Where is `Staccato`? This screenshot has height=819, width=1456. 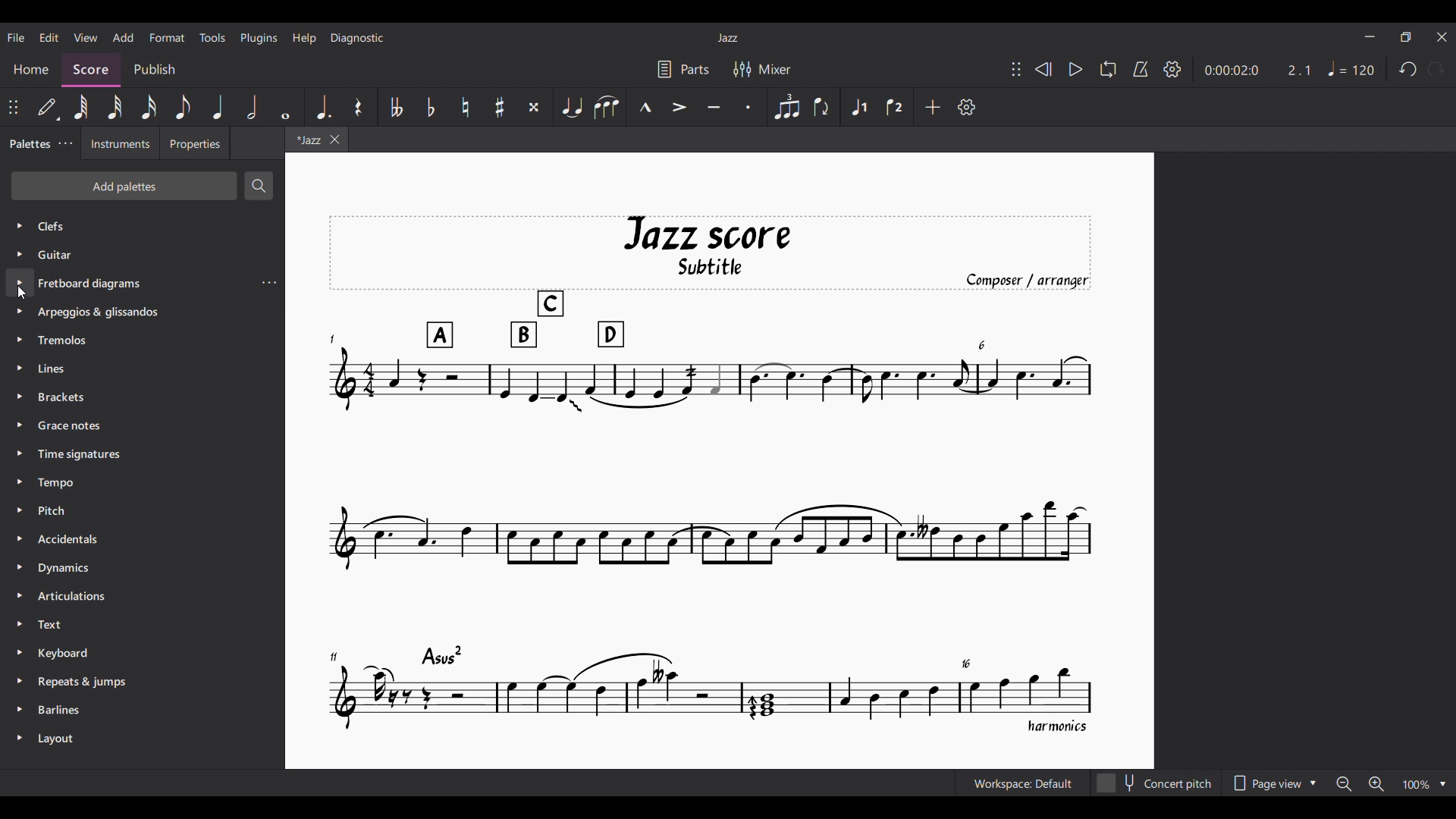 Staccato is located at coordinates (749, 107).